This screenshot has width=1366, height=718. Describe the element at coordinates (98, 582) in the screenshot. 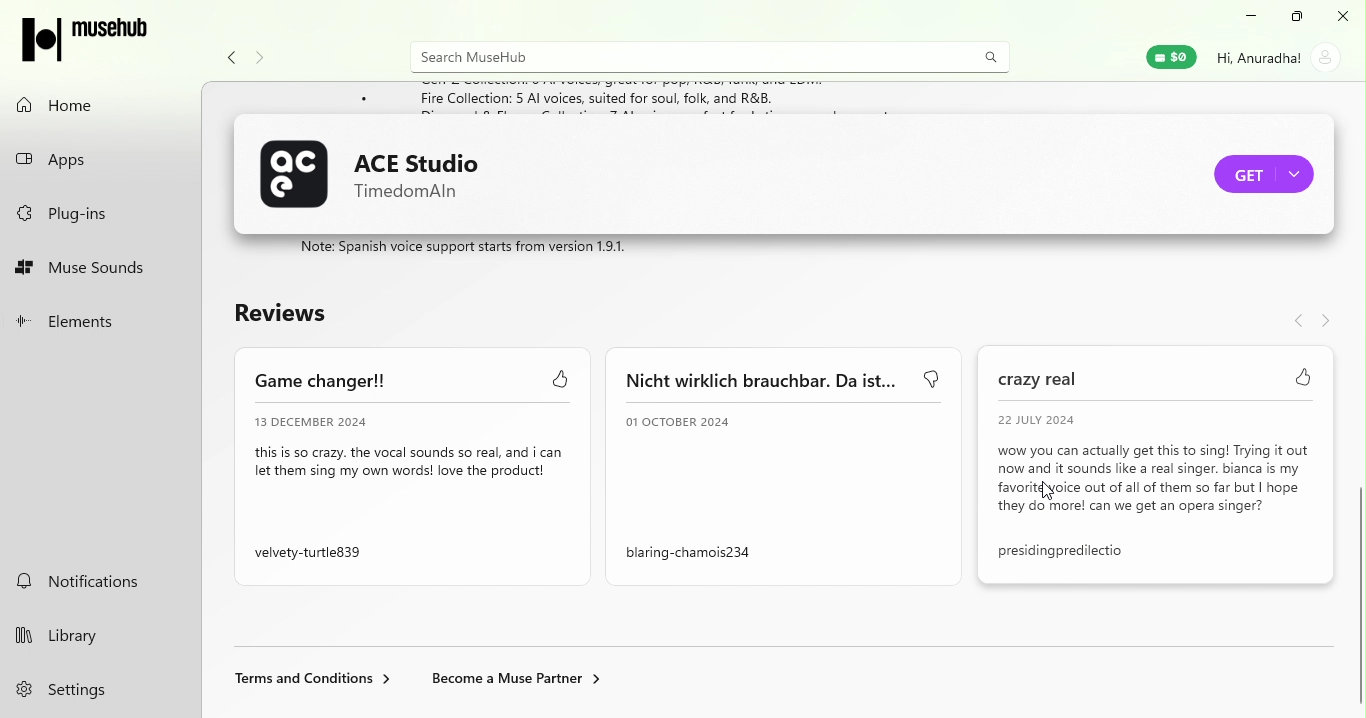

I see `notifications` at that location.